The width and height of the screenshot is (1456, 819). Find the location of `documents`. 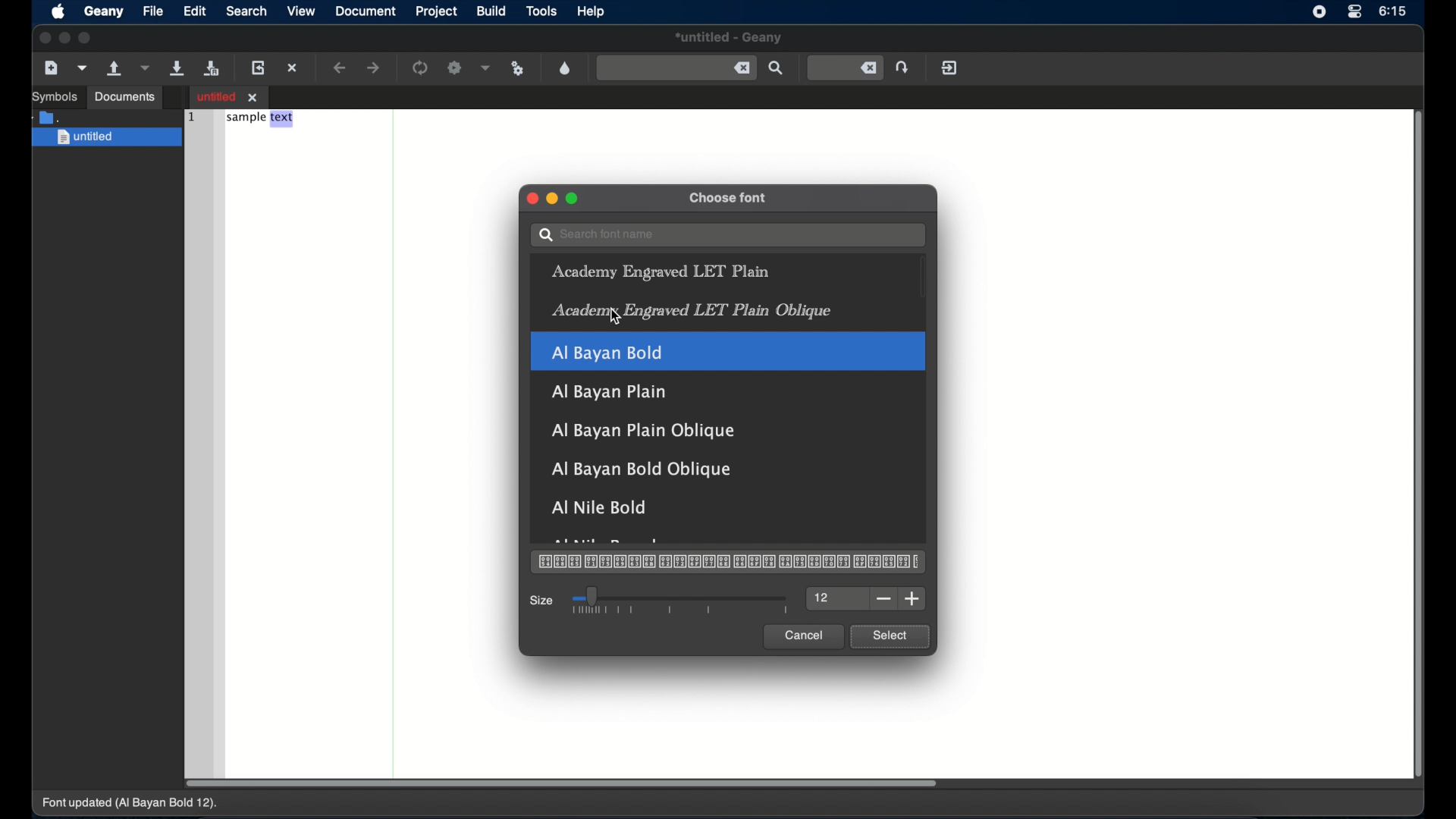

documents is located at coordinates (49, 116).